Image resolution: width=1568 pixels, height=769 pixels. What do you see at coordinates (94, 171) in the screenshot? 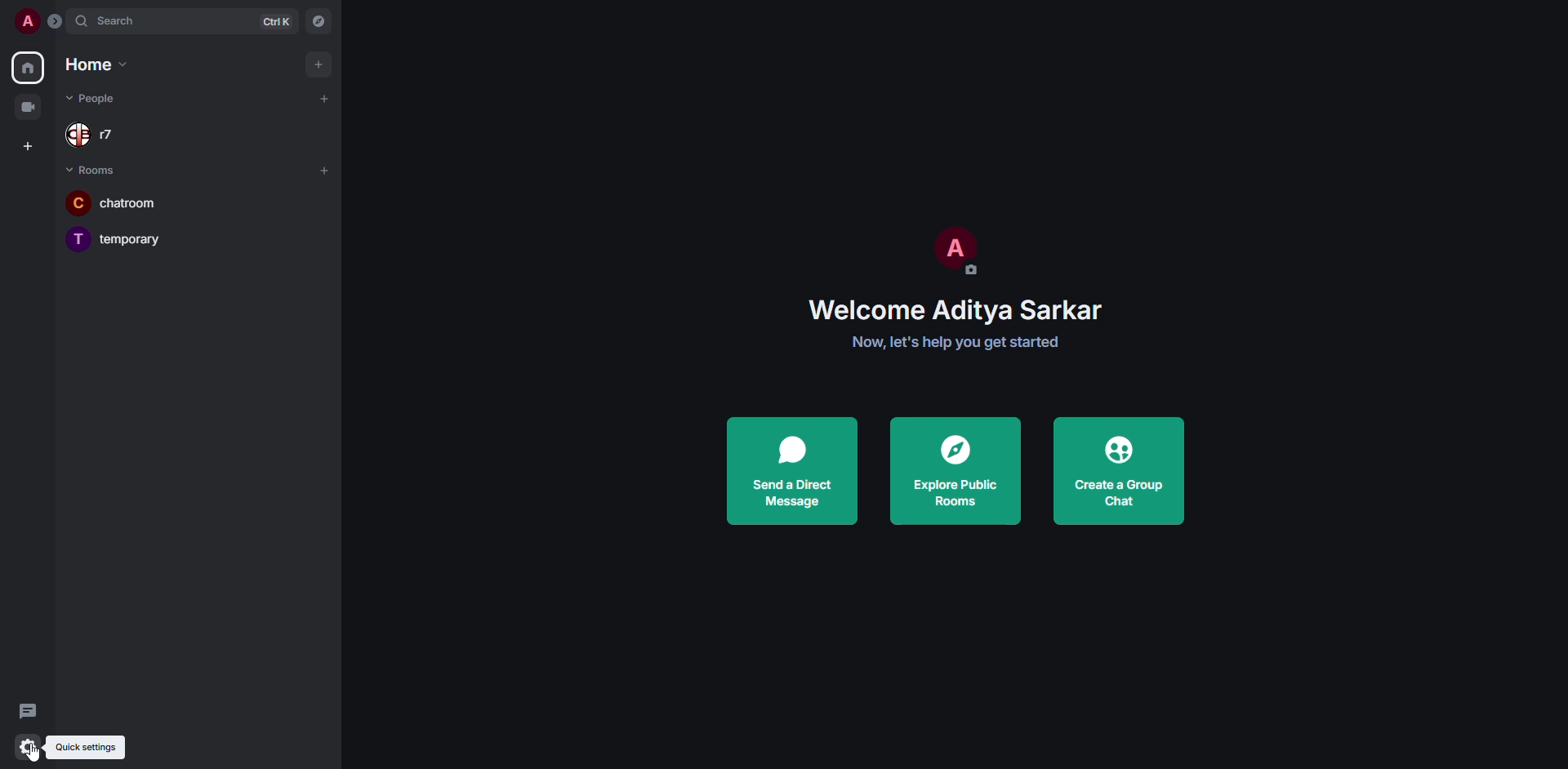
I see `room` at bounding box center [94, 171].